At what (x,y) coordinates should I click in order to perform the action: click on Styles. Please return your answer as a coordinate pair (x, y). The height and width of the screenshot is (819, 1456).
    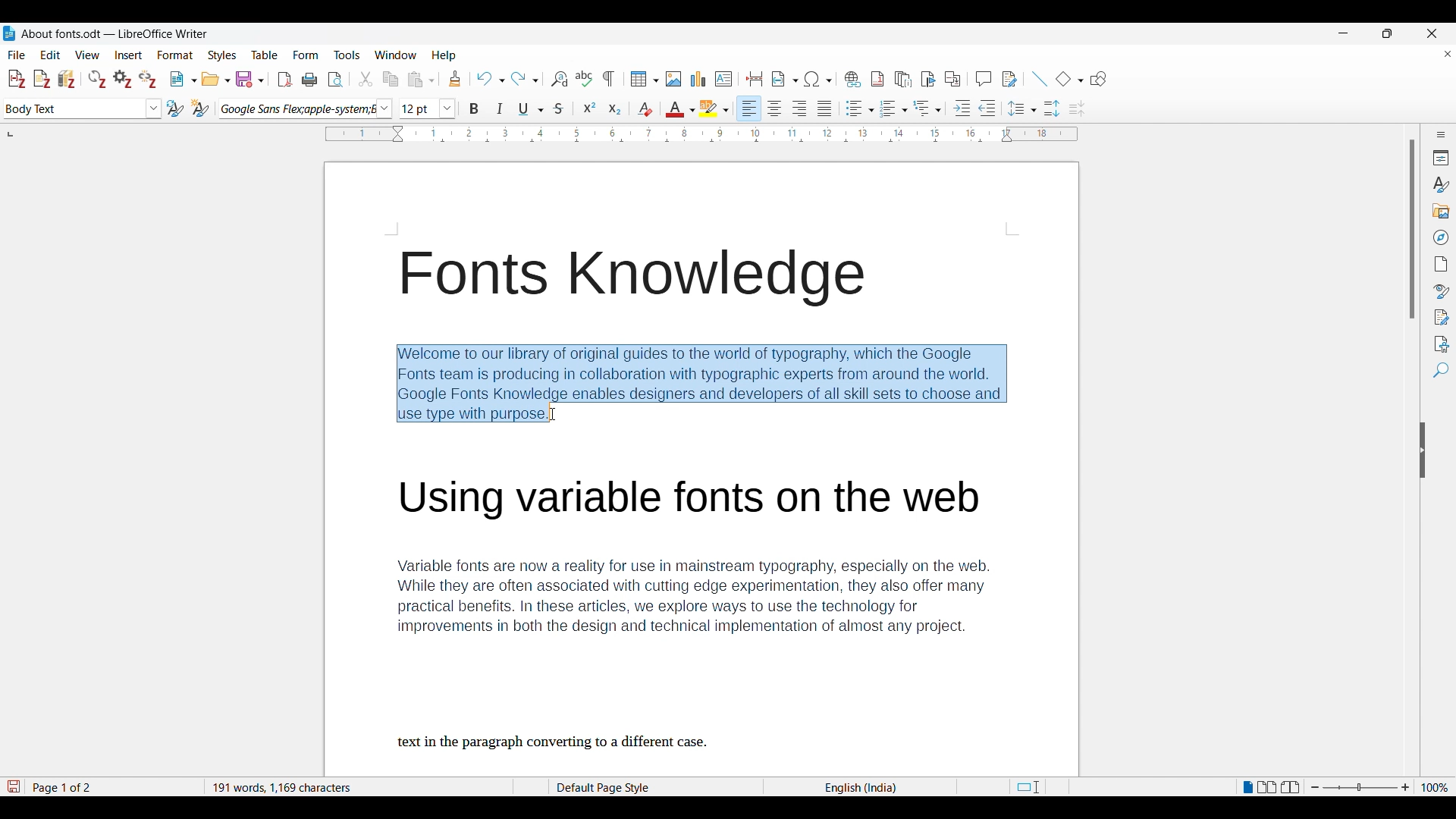
    Looking at the image, I should click on (1440, 185).